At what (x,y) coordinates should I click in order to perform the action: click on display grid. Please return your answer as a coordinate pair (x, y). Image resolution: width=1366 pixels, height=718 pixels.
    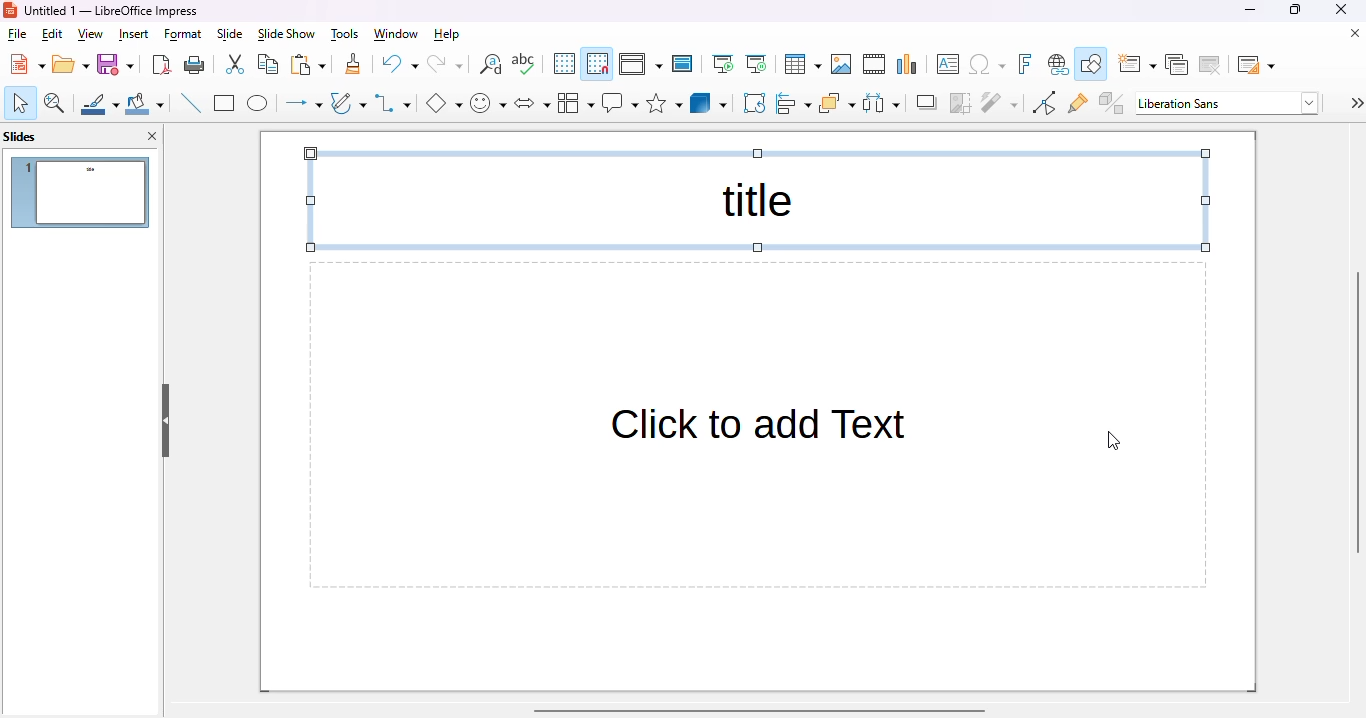
    Looking at the image, I should click on (564, 63).